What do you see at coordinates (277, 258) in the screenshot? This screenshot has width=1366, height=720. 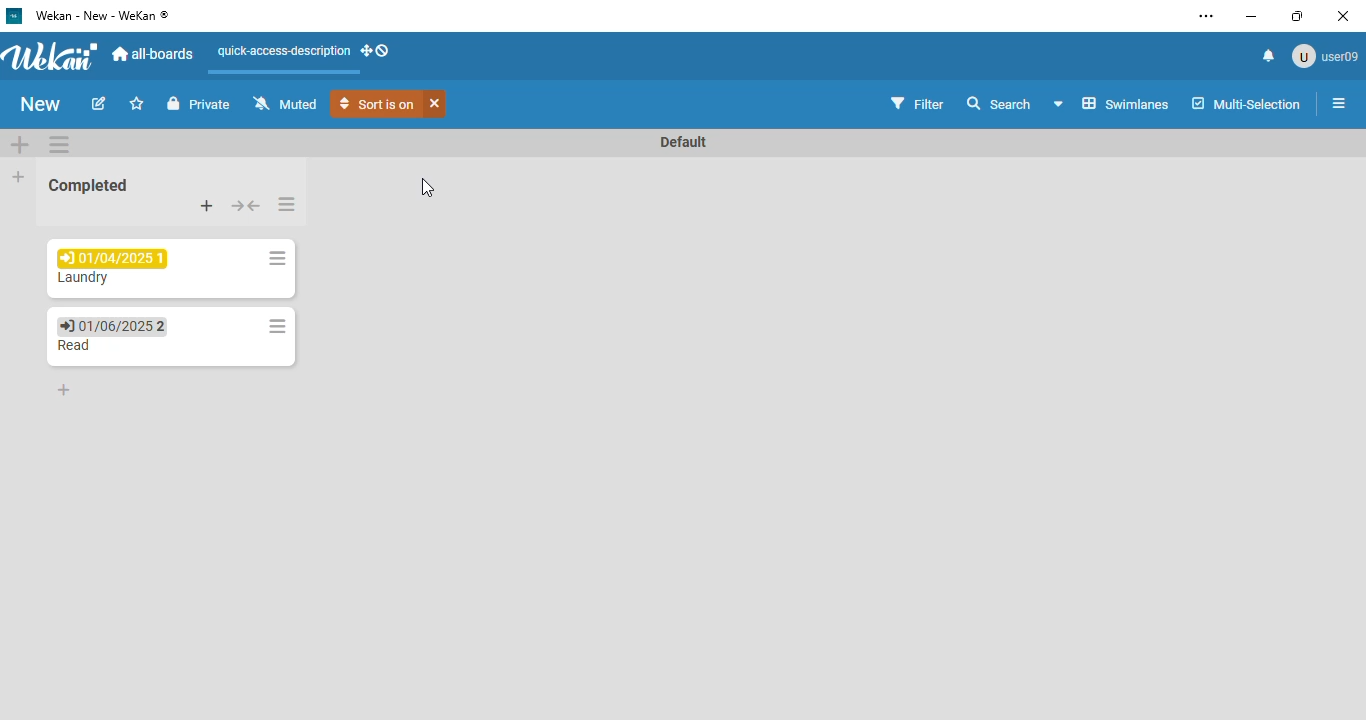 I see `card actions` at bounding box center [277, 258].